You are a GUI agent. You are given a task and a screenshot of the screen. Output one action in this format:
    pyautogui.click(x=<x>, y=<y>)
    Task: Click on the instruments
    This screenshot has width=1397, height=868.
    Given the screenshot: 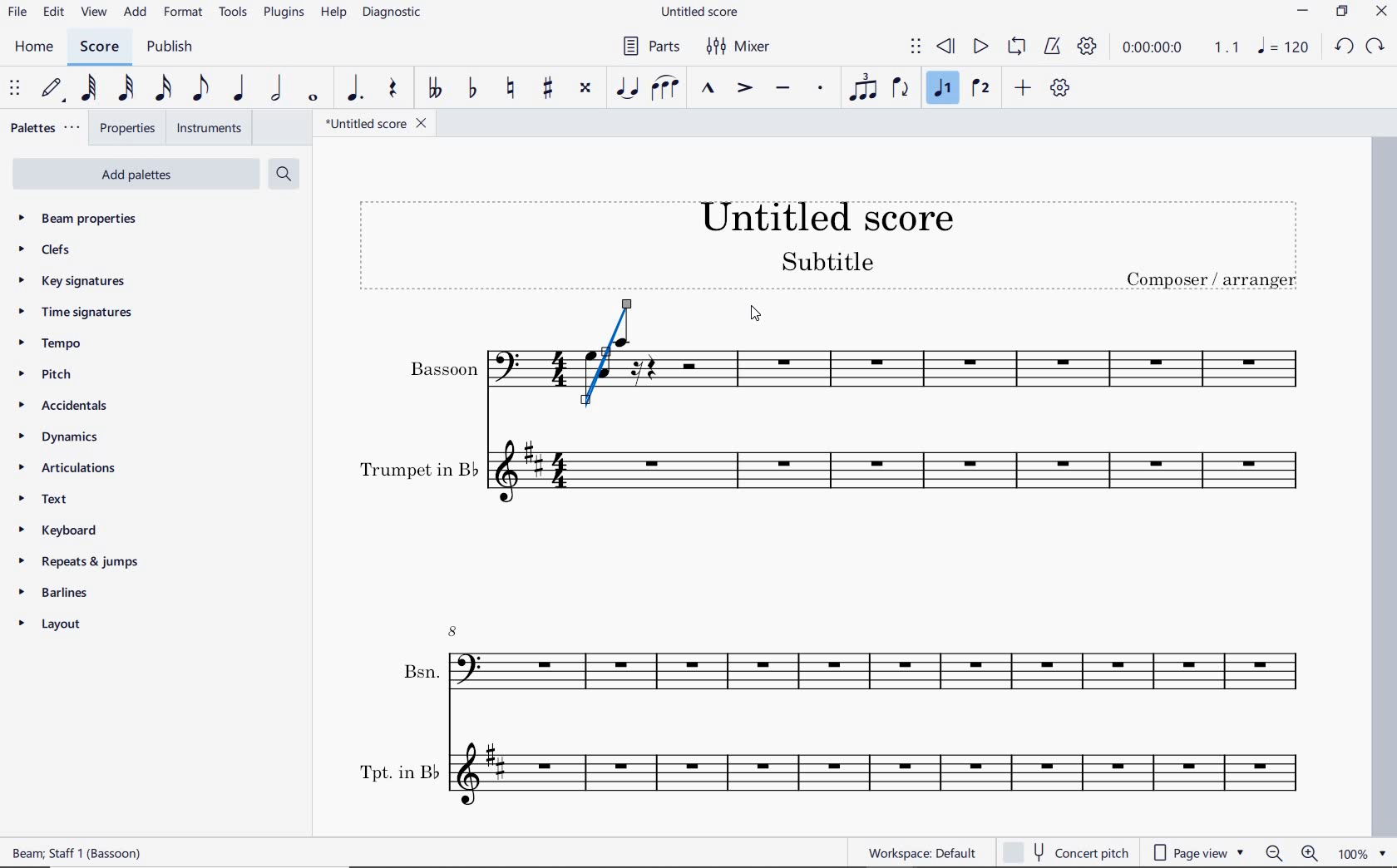 What is the action you would take?
    pyautogui.click(x=210, y=128)
    